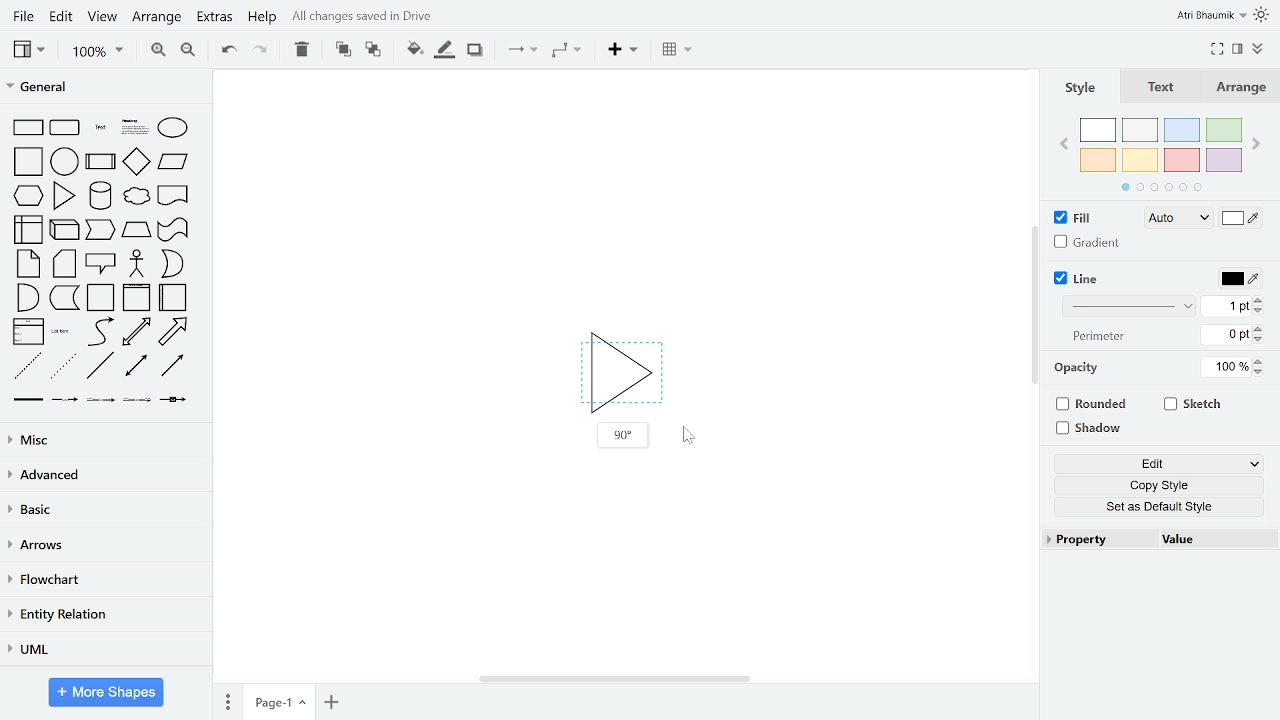  What do you see at coordinates (174, 298) in the screenshot?
I see `horizontal storage` at bounding box center [174, 298].